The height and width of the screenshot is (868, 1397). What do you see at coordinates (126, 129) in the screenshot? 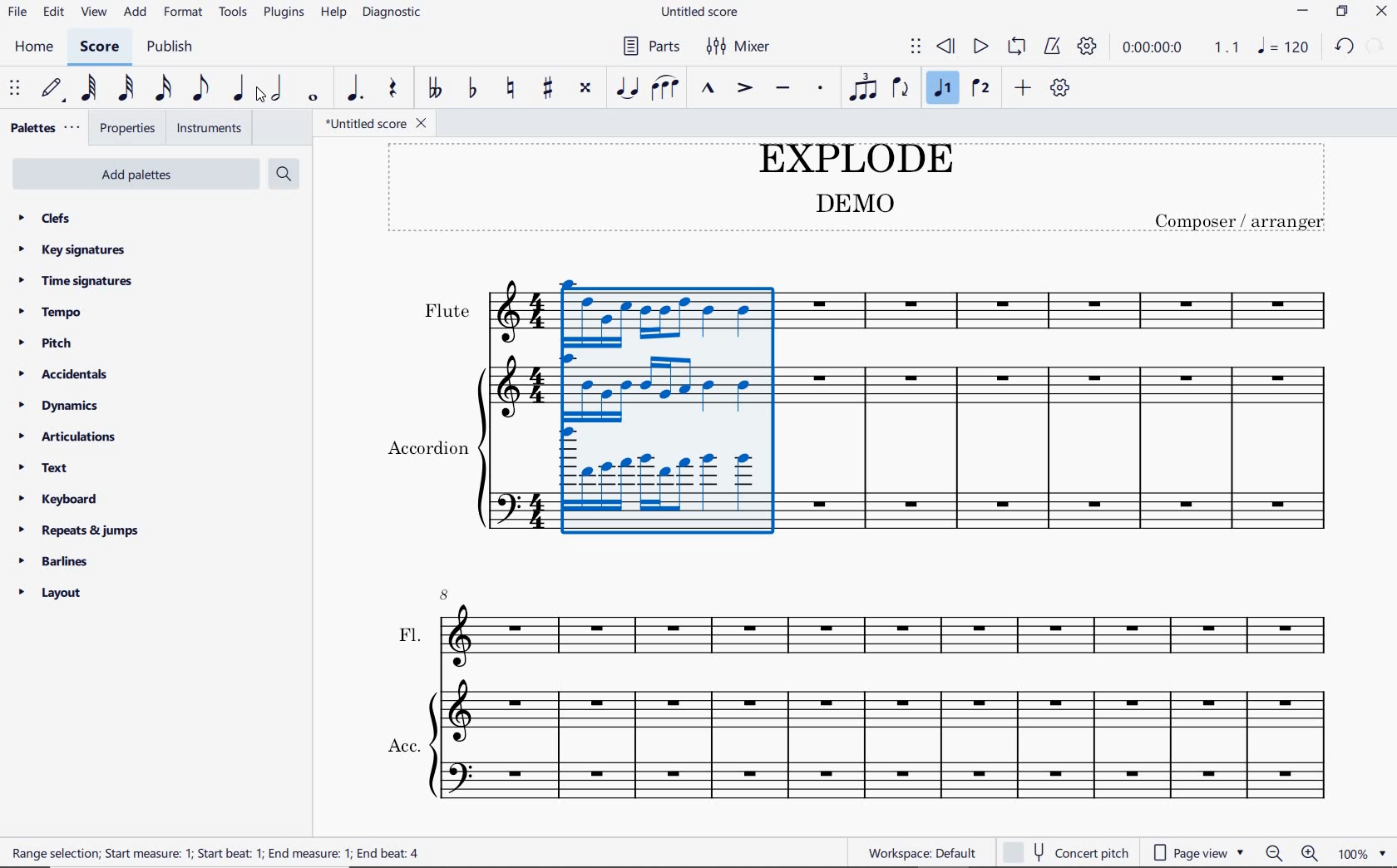
I see `properties` at bounding box center [126, 129].